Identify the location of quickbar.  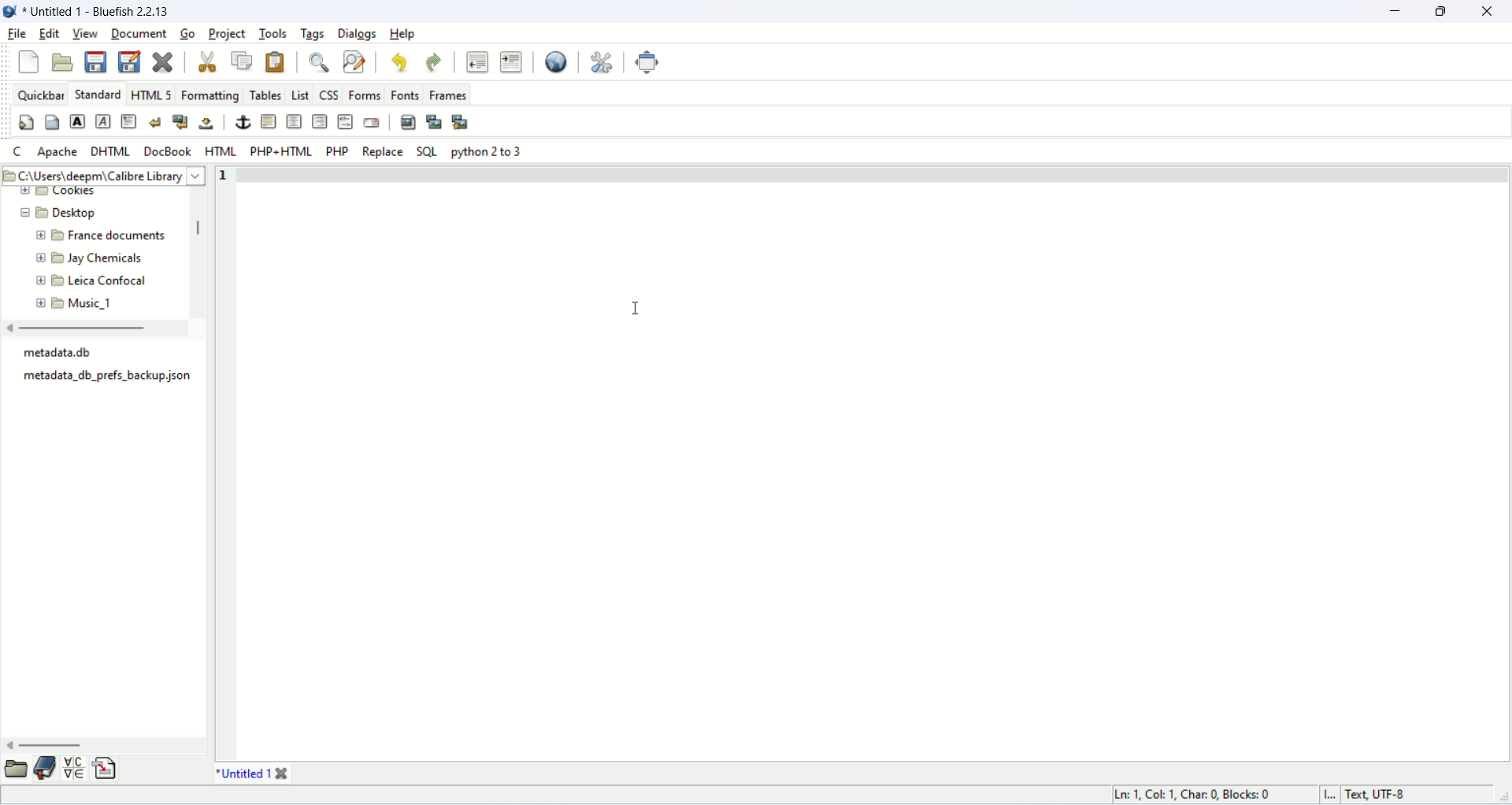
(43, 95).